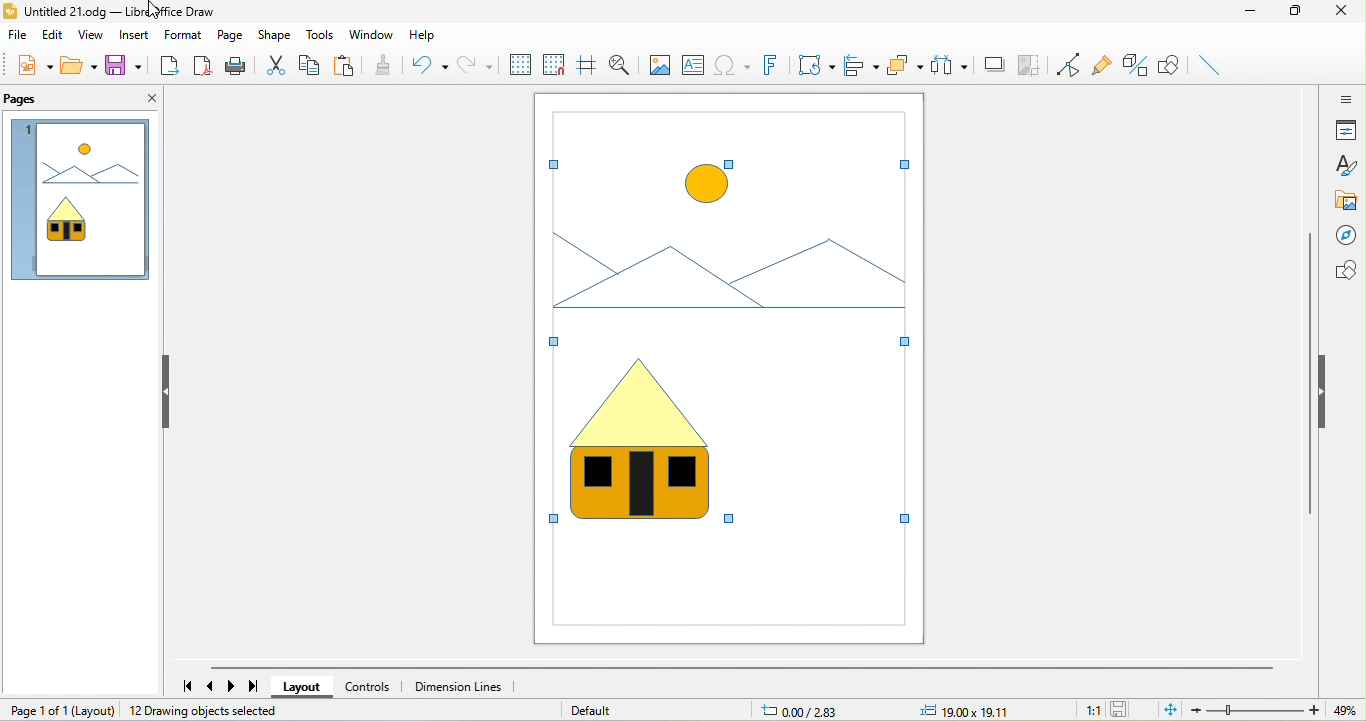 The width and height of the screenshot is (1366, 722). What do you see at coordinates (233, 686) in the screenshot?
I see `next` at bounding box center [233, 686].